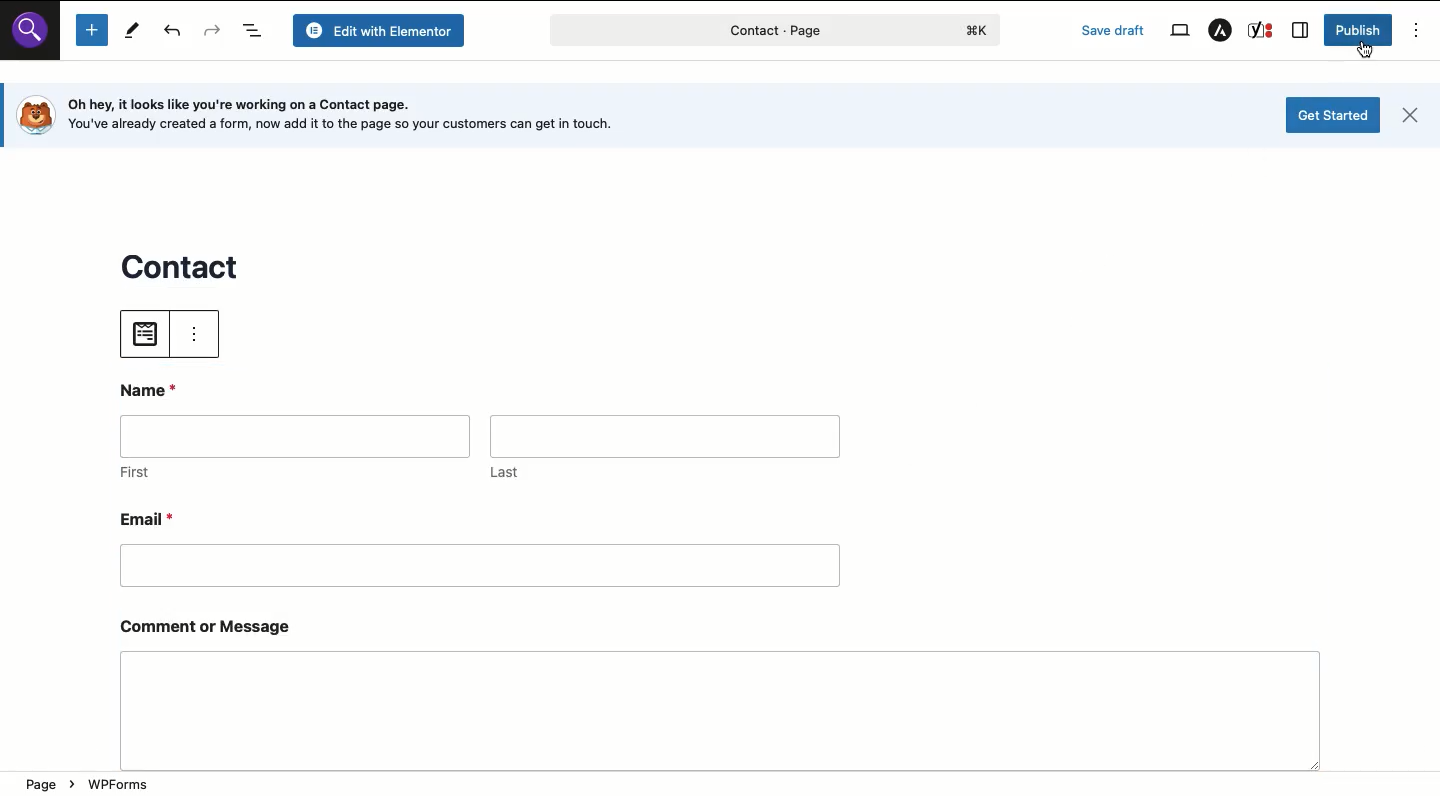 The height and width of the screenshot is (796, 1440). What do you see at coordinates (706, 34) in the screenshot?
I see `contact - page` at bounding box center [706, 34].